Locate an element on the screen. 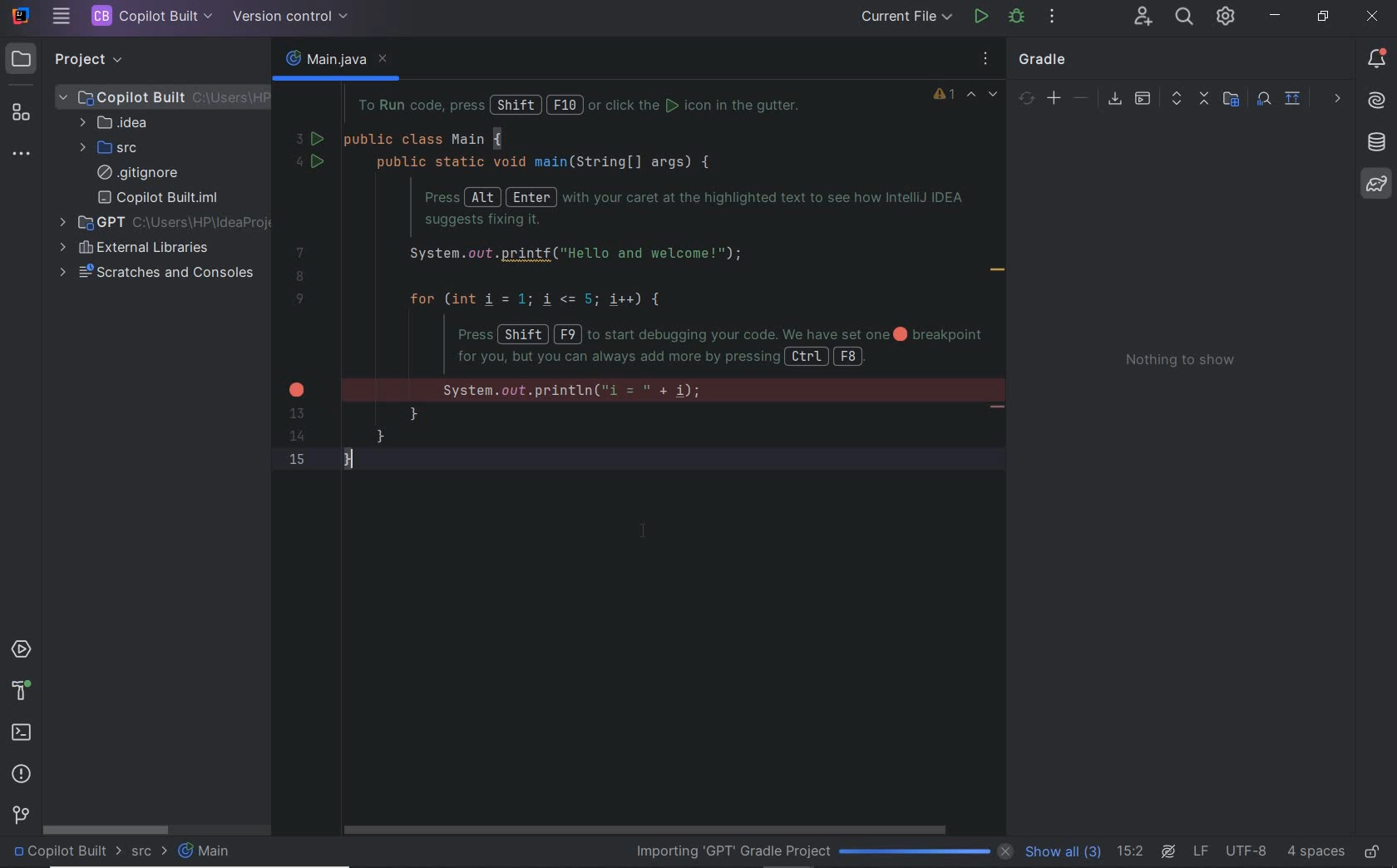  AI Assistant is located at coordinates (1375, 101).